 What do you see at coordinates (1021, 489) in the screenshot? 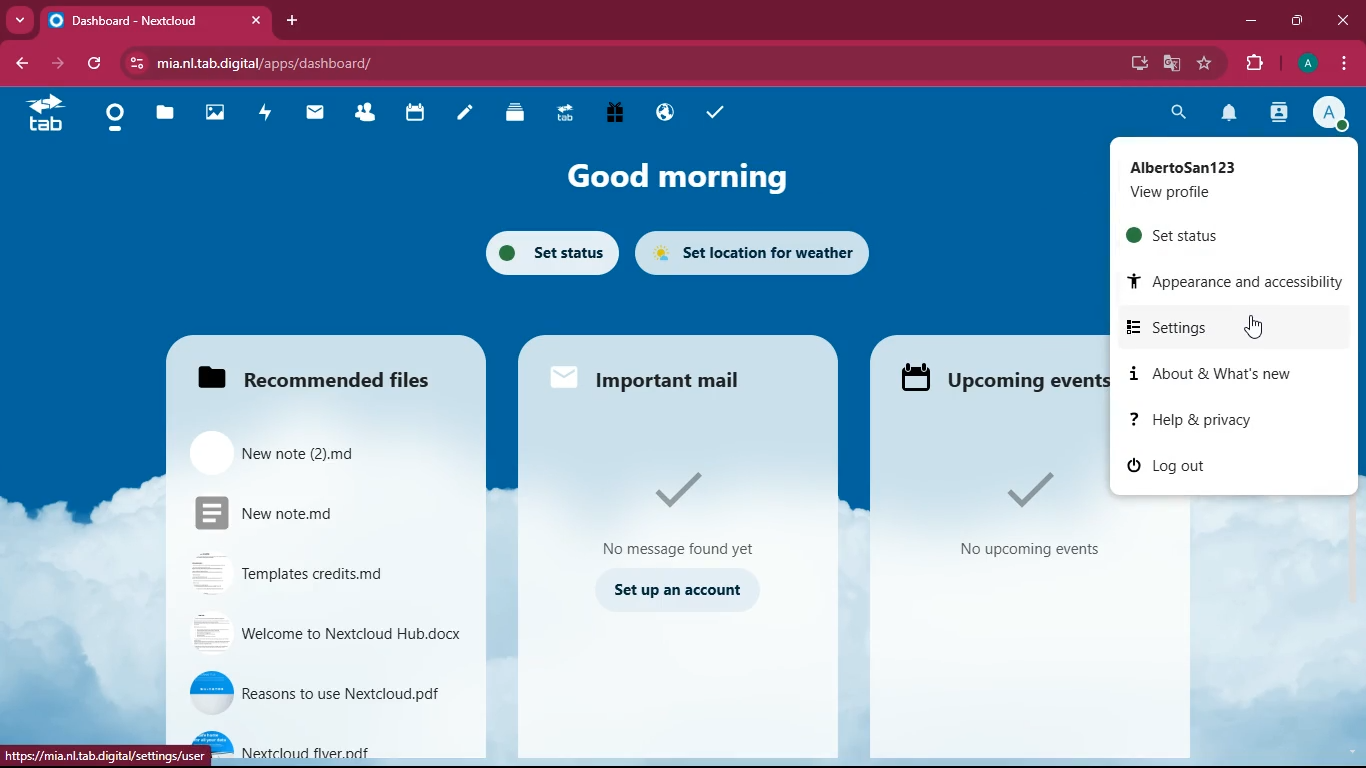
I see `Tick` at bounding box center [1021, 489].